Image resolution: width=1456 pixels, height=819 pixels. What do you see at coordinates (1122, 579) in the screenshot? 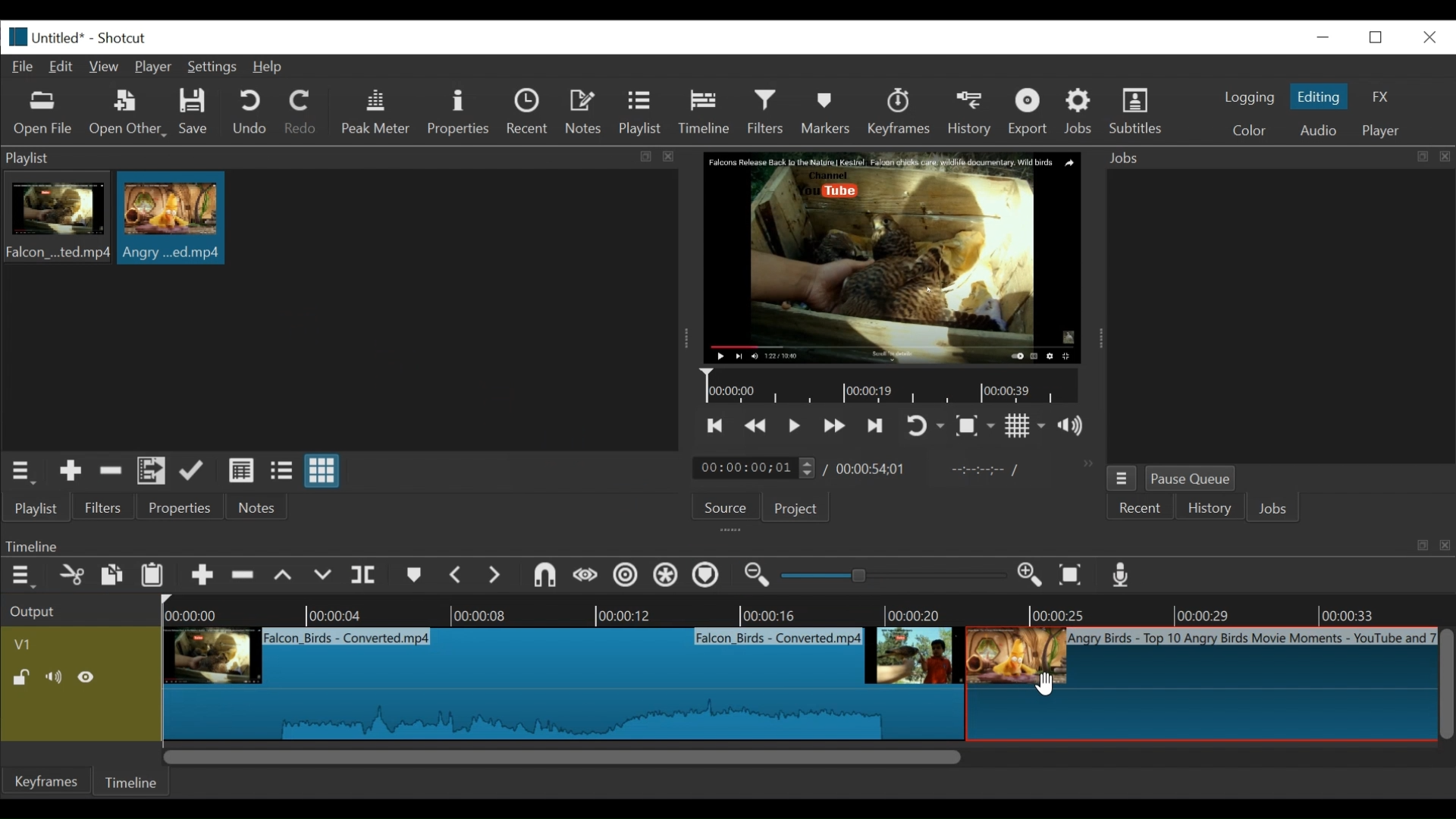
I see `Record audio` at bounding box center [1122, 579].